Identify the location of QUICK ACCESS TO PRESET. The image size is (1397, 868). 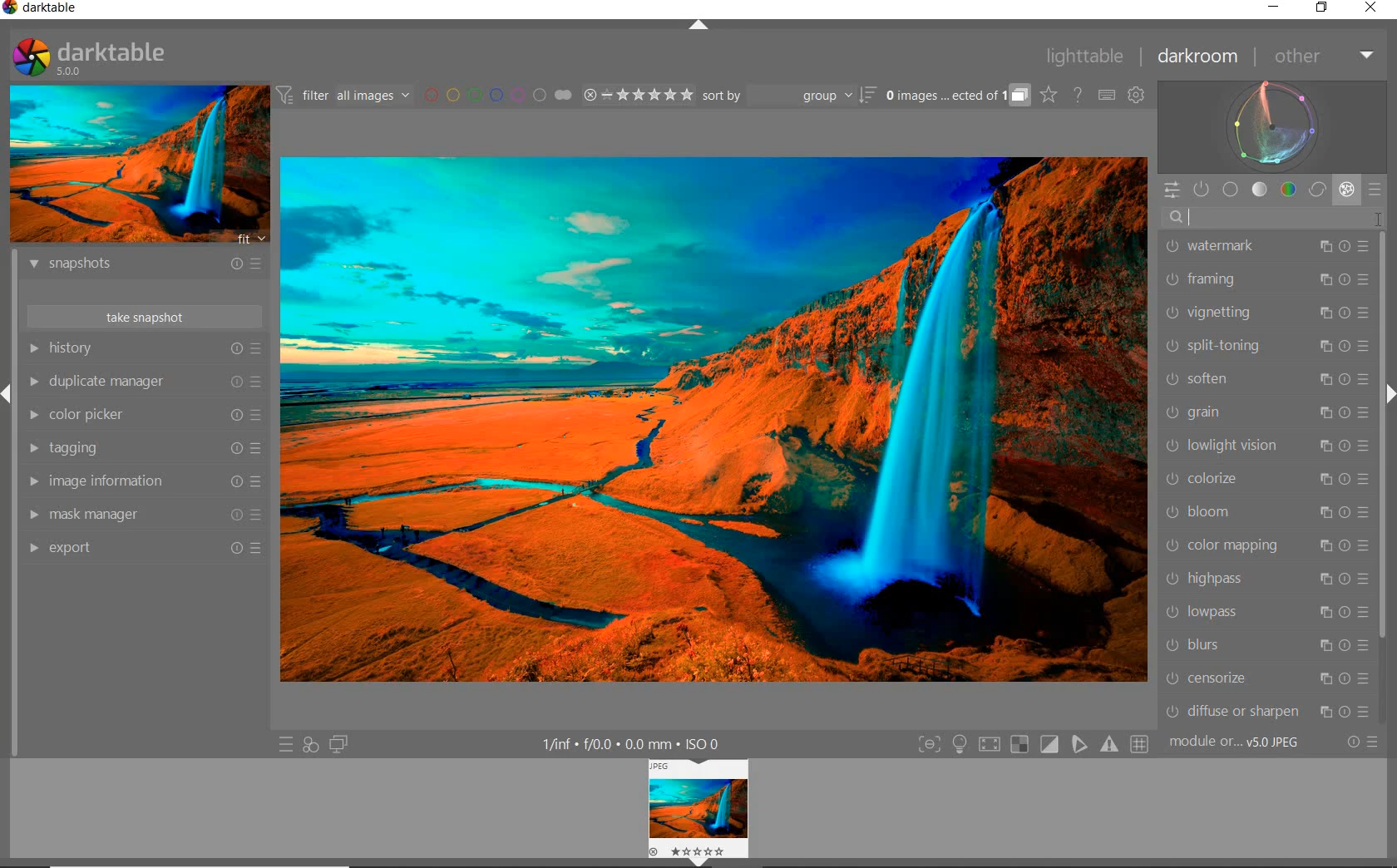
(285, 743).